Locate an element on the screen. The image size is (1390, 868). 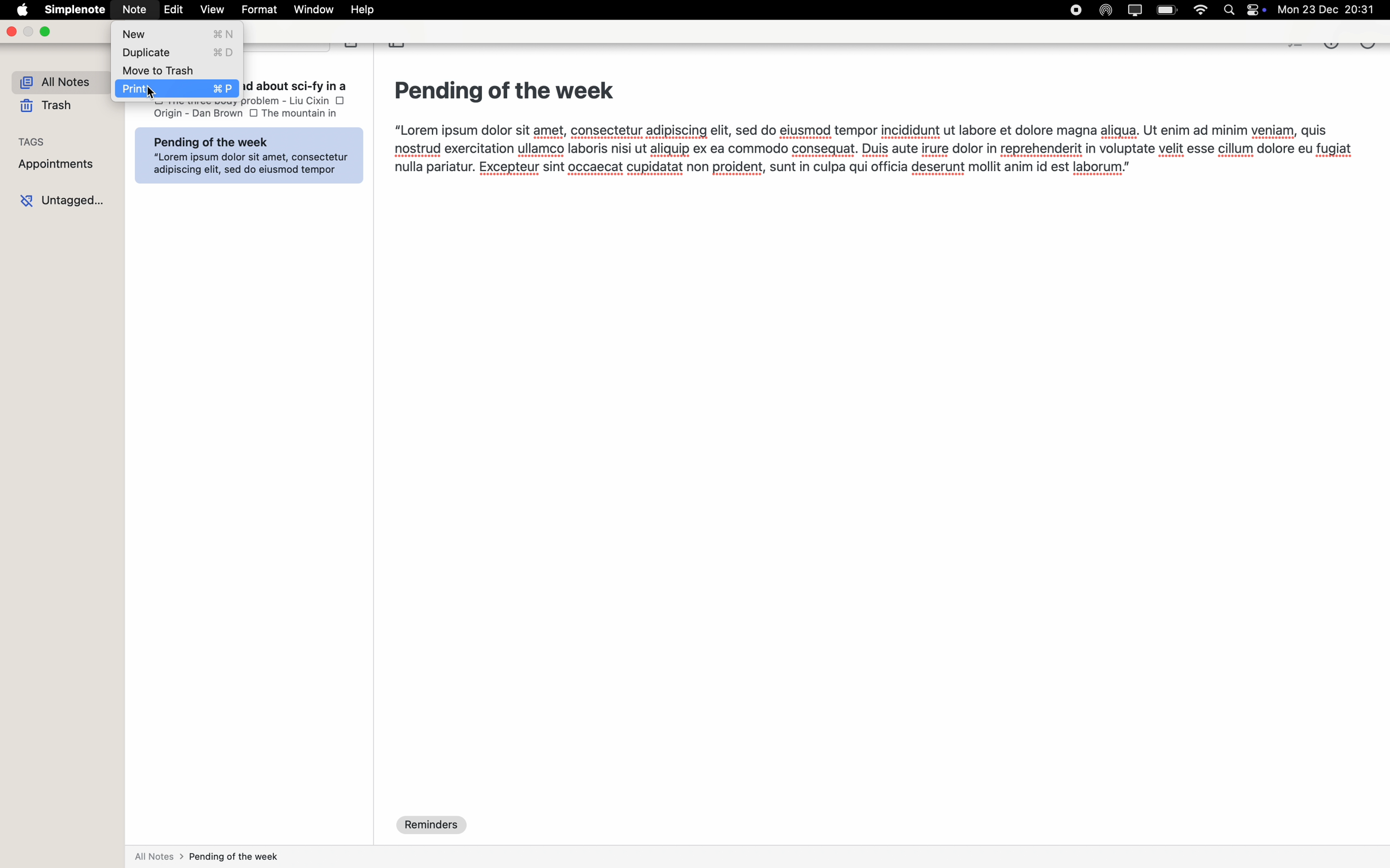
checkbox is located at coordinates (254, 114).